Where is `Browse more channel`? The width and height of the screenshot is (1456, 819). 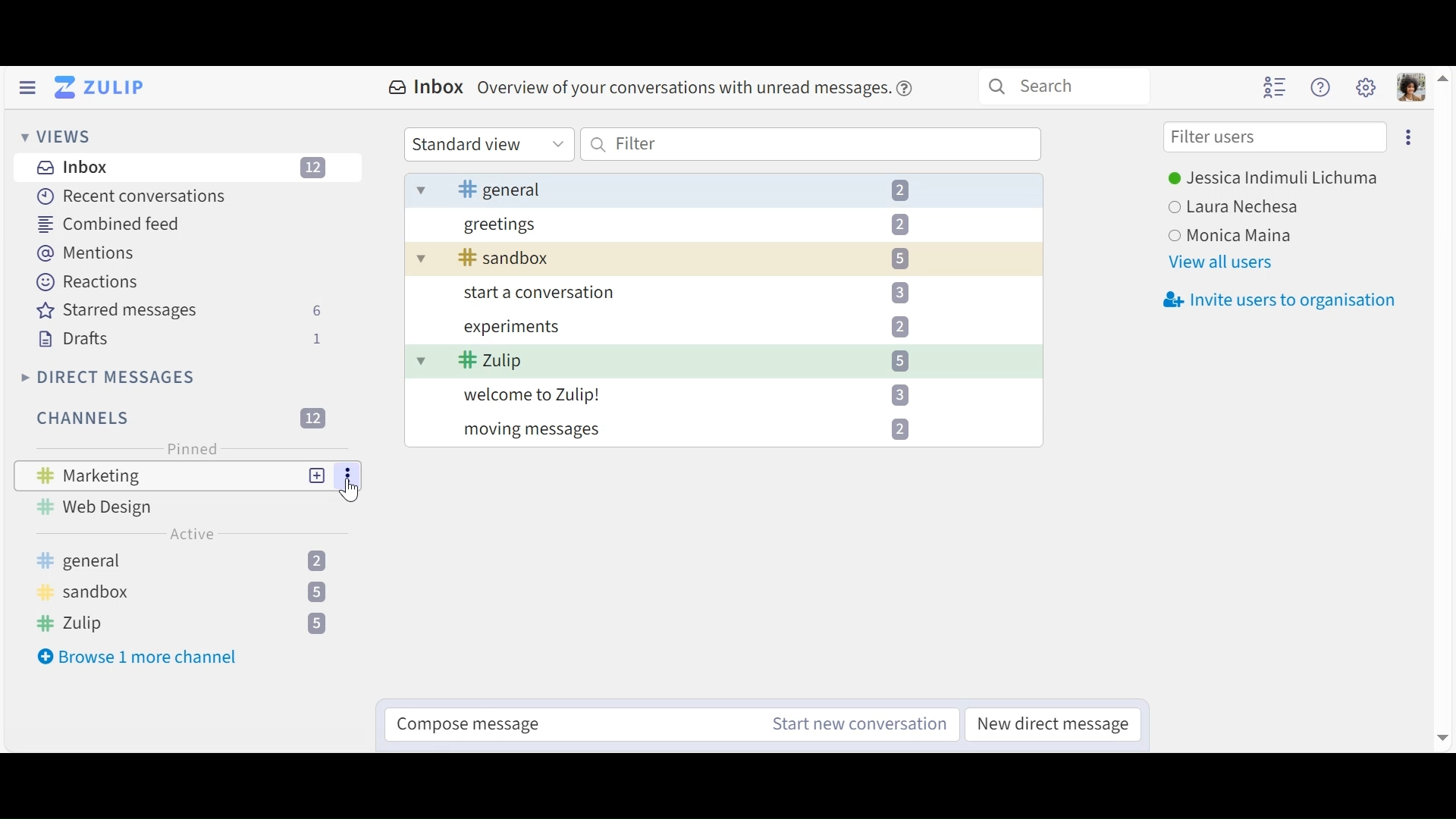 Browse more channel is located at coordinates (137, 657).